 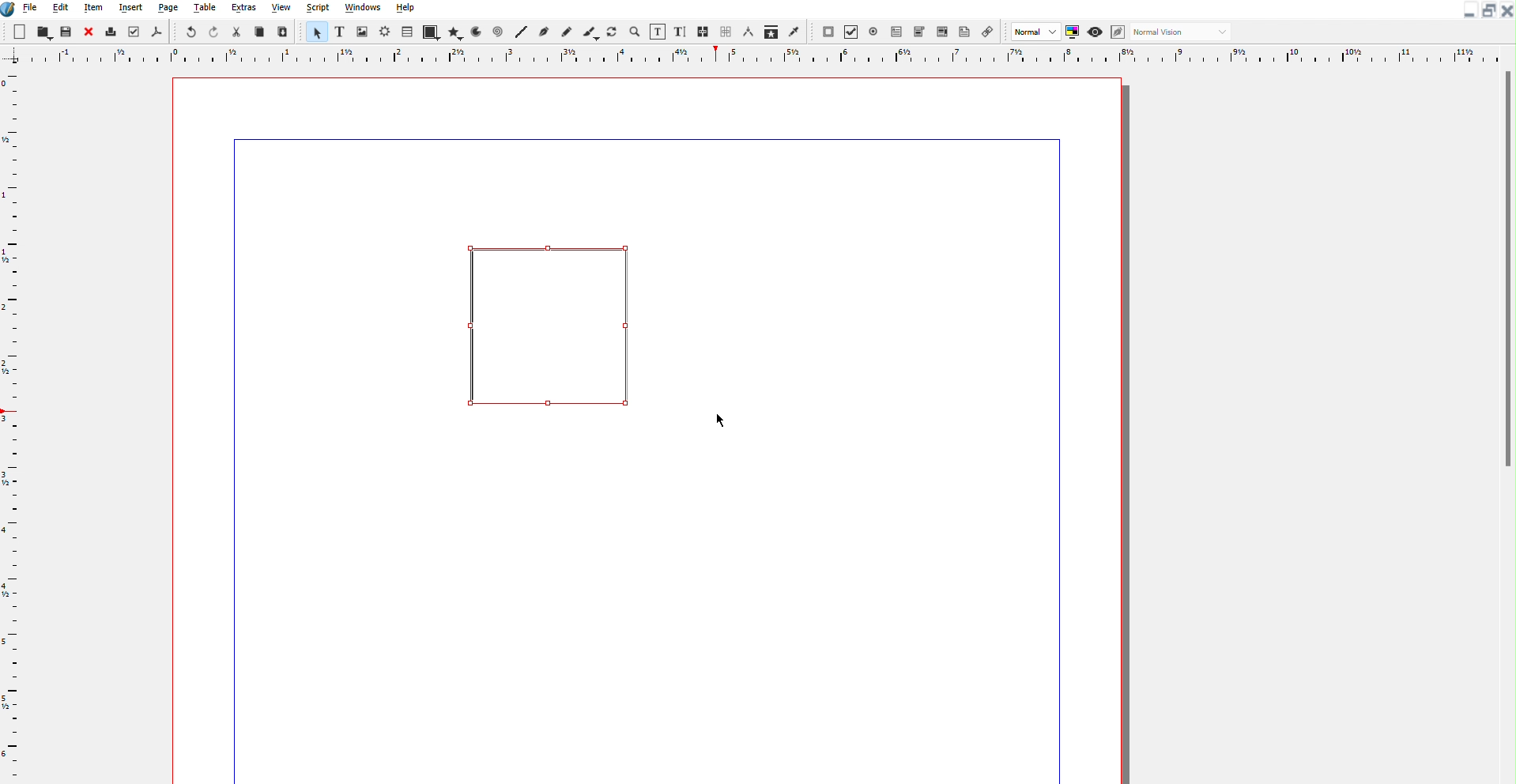 What do you see at coordinates (206, 9) in the screenshot?
I see `Table` at bounding box center [206, 9].